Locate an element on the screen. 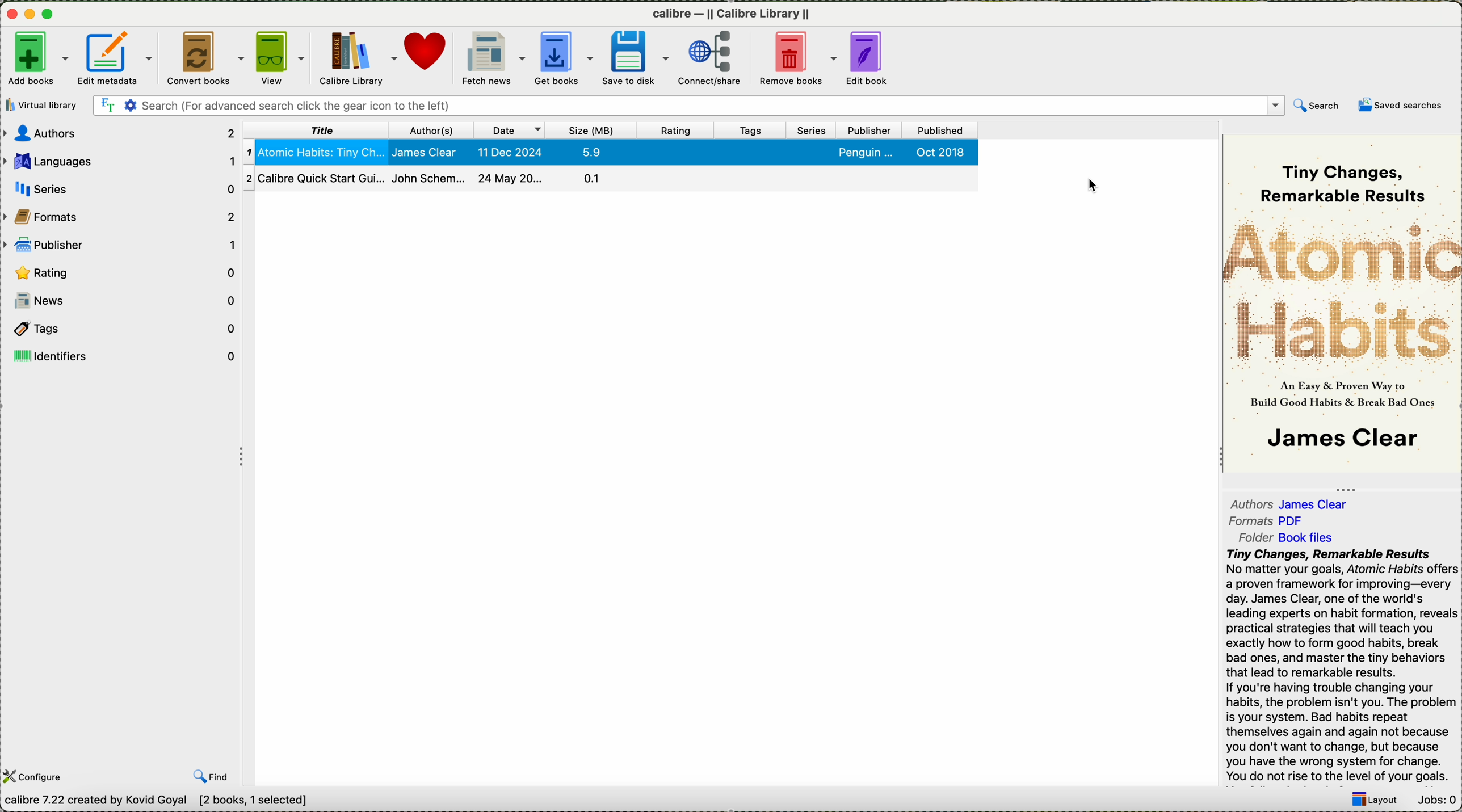  search is located at coordinates (1317, 106).